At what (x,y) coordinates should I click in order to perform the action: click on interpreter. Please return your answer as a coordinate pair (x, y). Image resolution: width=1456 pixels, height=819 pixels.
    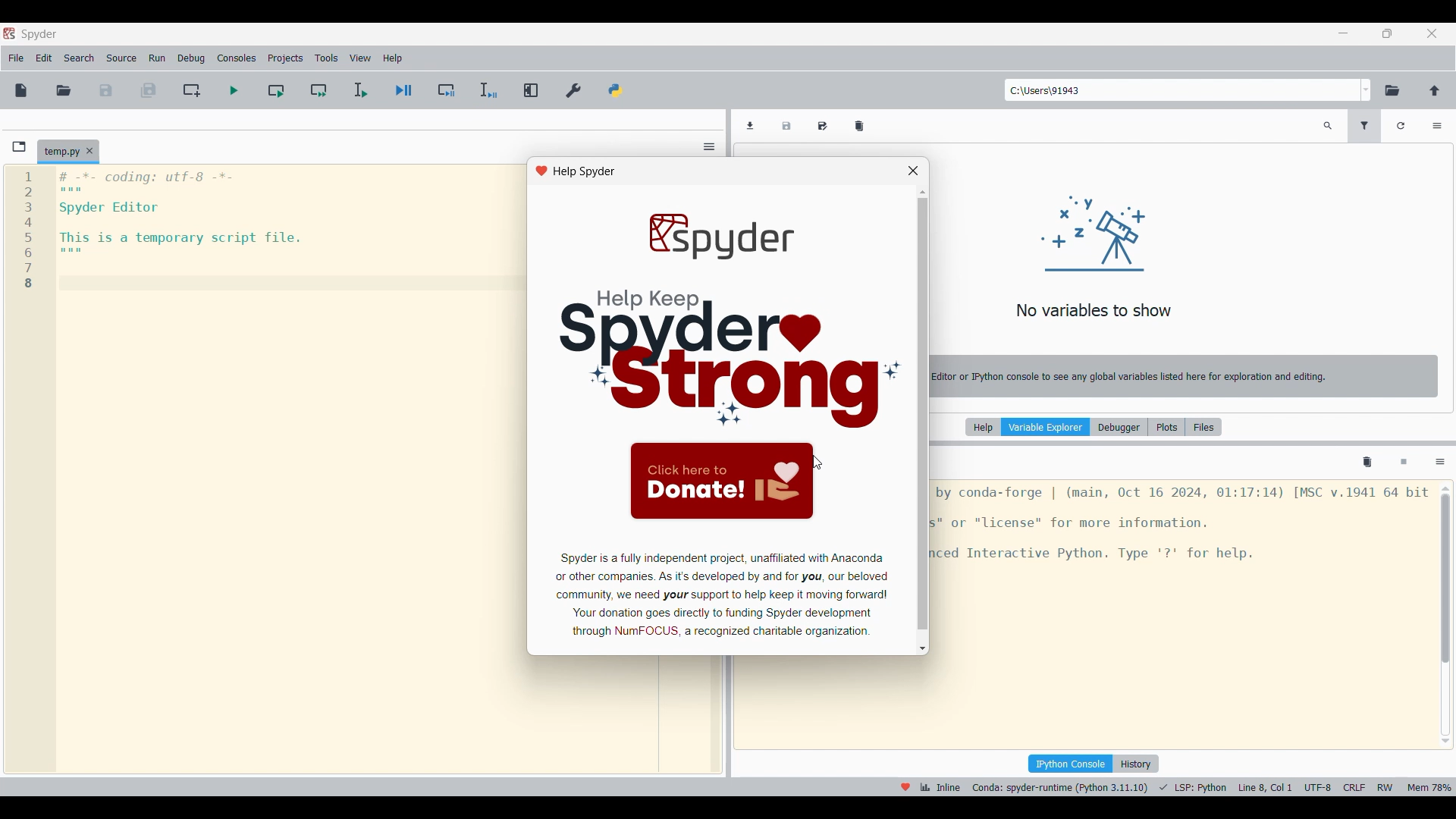
    Looking at the image, I should click on (1057, 787).